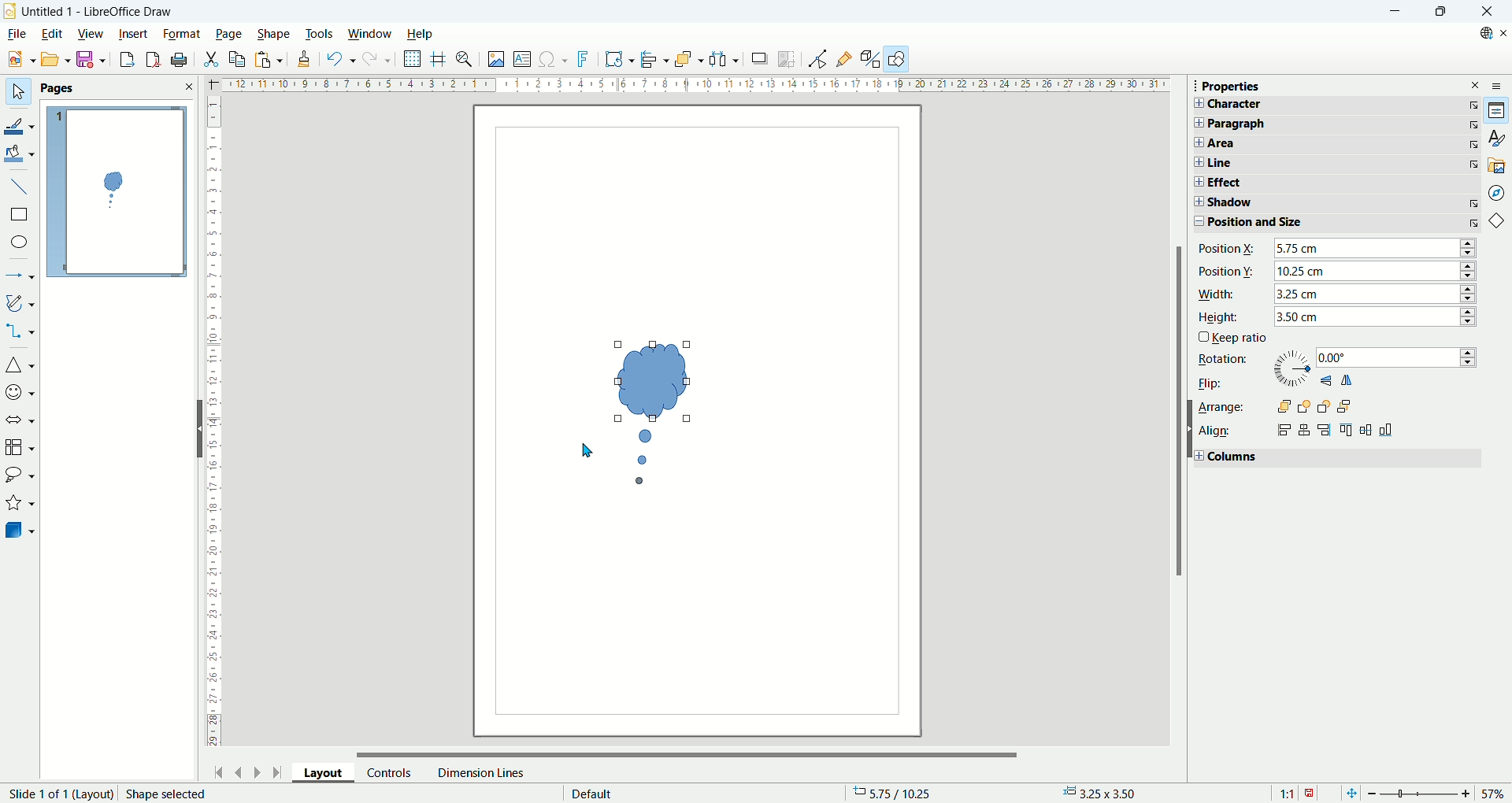  Describe the element at coordinates (1305, 407) in the screenshot. I see `Forward one` at that location.